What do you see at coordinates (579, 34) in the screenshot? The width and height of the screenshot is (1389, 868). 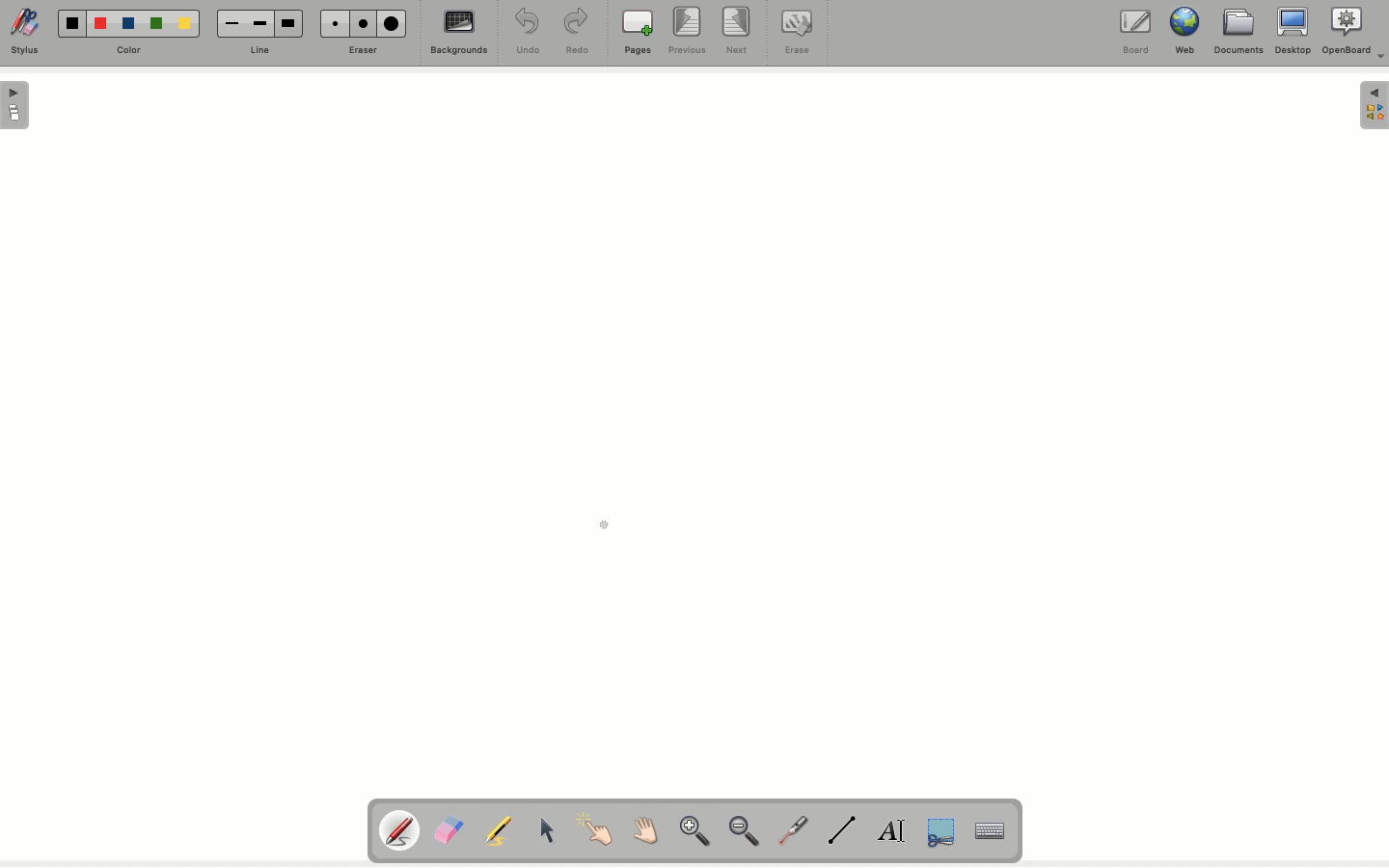 I see `Redo` at bounding box center [579, 34].